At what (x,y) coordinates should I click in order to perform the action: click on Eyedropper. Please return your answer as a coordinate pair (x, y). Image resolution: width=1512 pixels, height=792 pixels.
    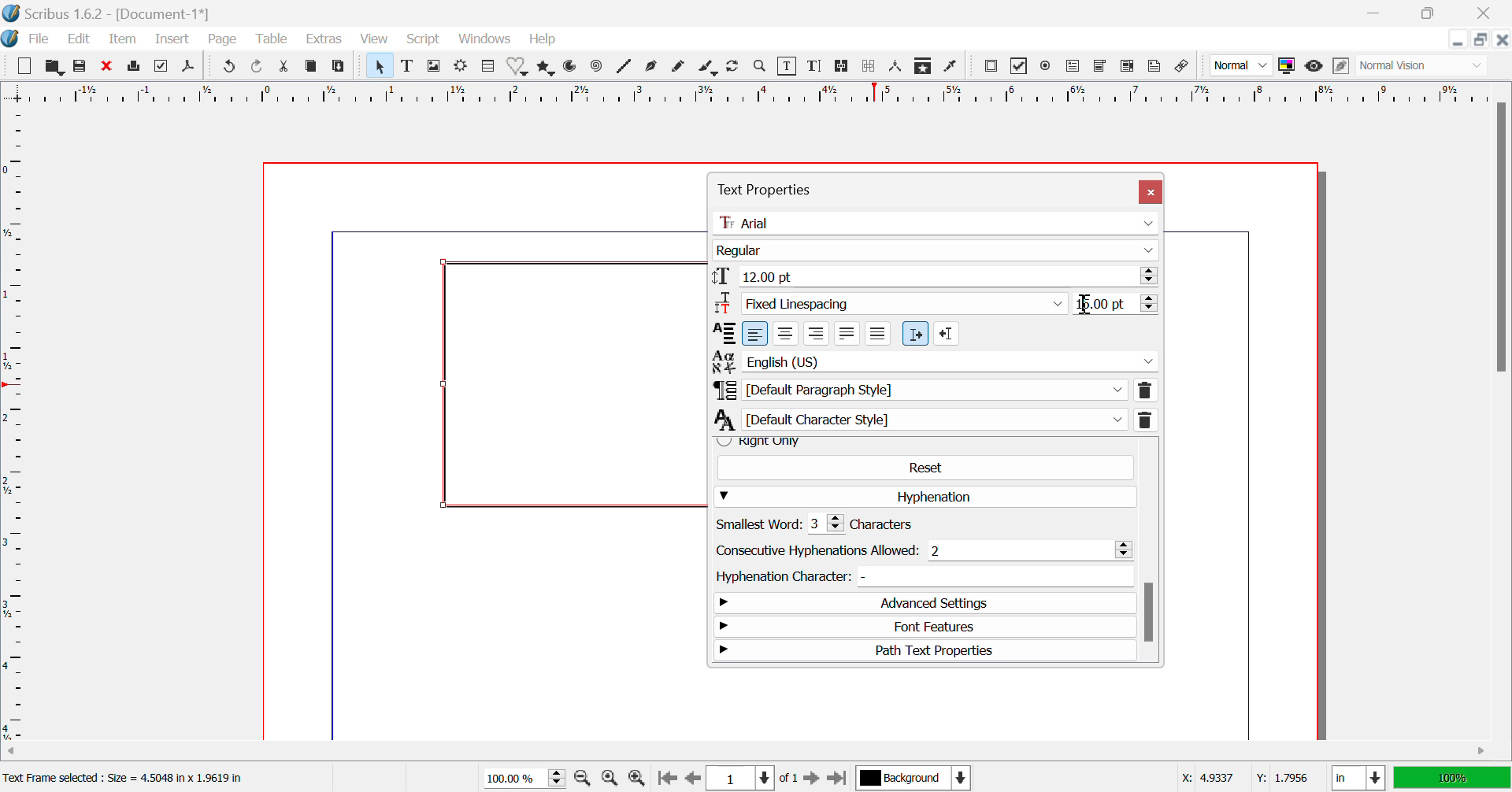
    Looking at the image, I should click on (953, 65).